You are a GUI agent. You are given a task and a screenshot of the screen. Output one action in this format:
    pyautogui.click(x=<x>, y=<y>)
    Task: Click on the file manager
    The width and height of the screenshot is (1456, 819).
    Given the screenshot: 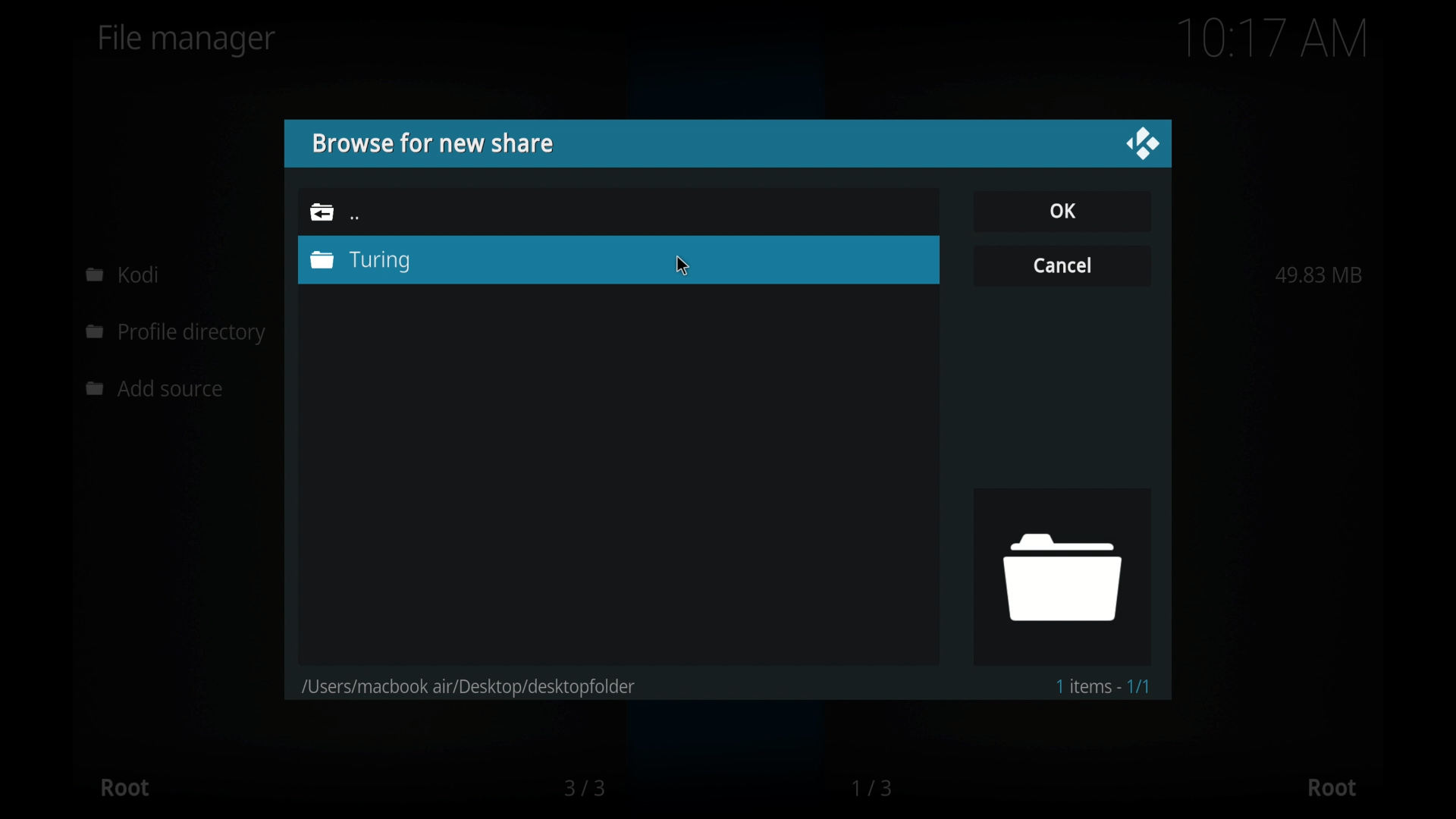 What is the action you would take?
    pyautogui.click(x=187, y=40)
    